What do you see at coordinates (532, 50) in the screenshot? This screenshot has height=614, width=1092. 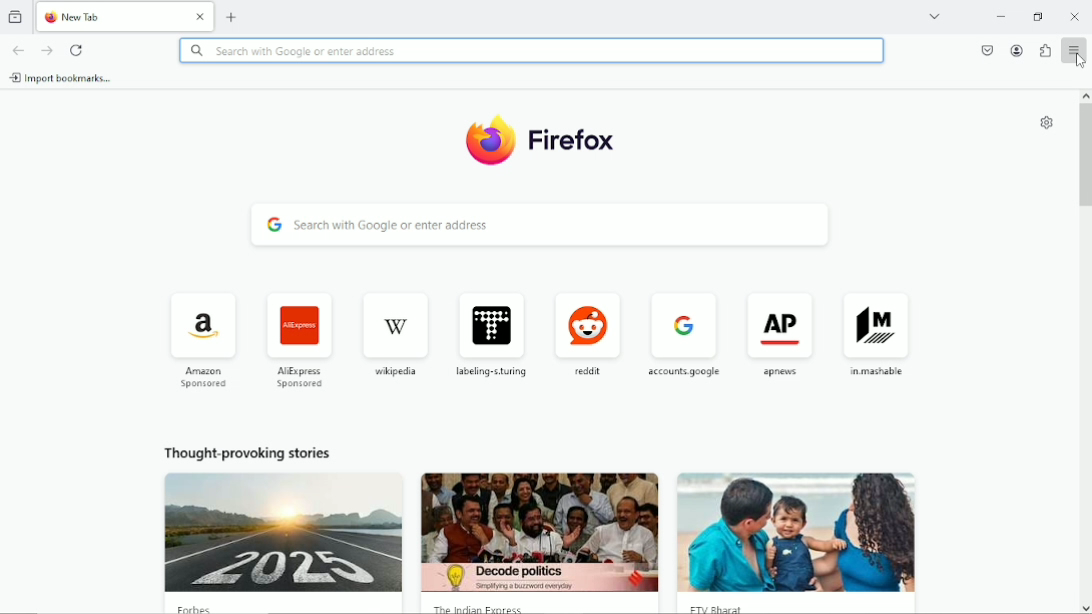 I see `Search with google or enter address` at bounding box center [532, 50].